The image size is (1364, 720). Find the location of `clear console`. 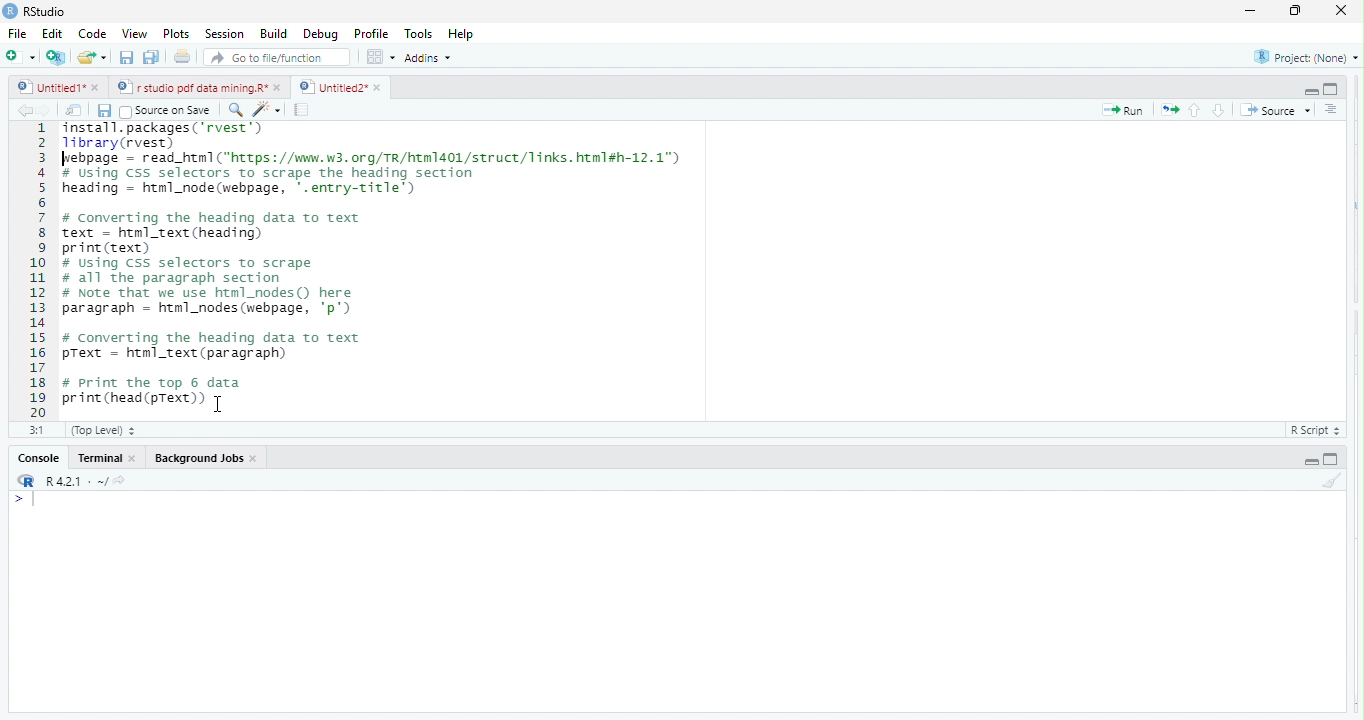

clear console is located at coordinates (1340, 478).